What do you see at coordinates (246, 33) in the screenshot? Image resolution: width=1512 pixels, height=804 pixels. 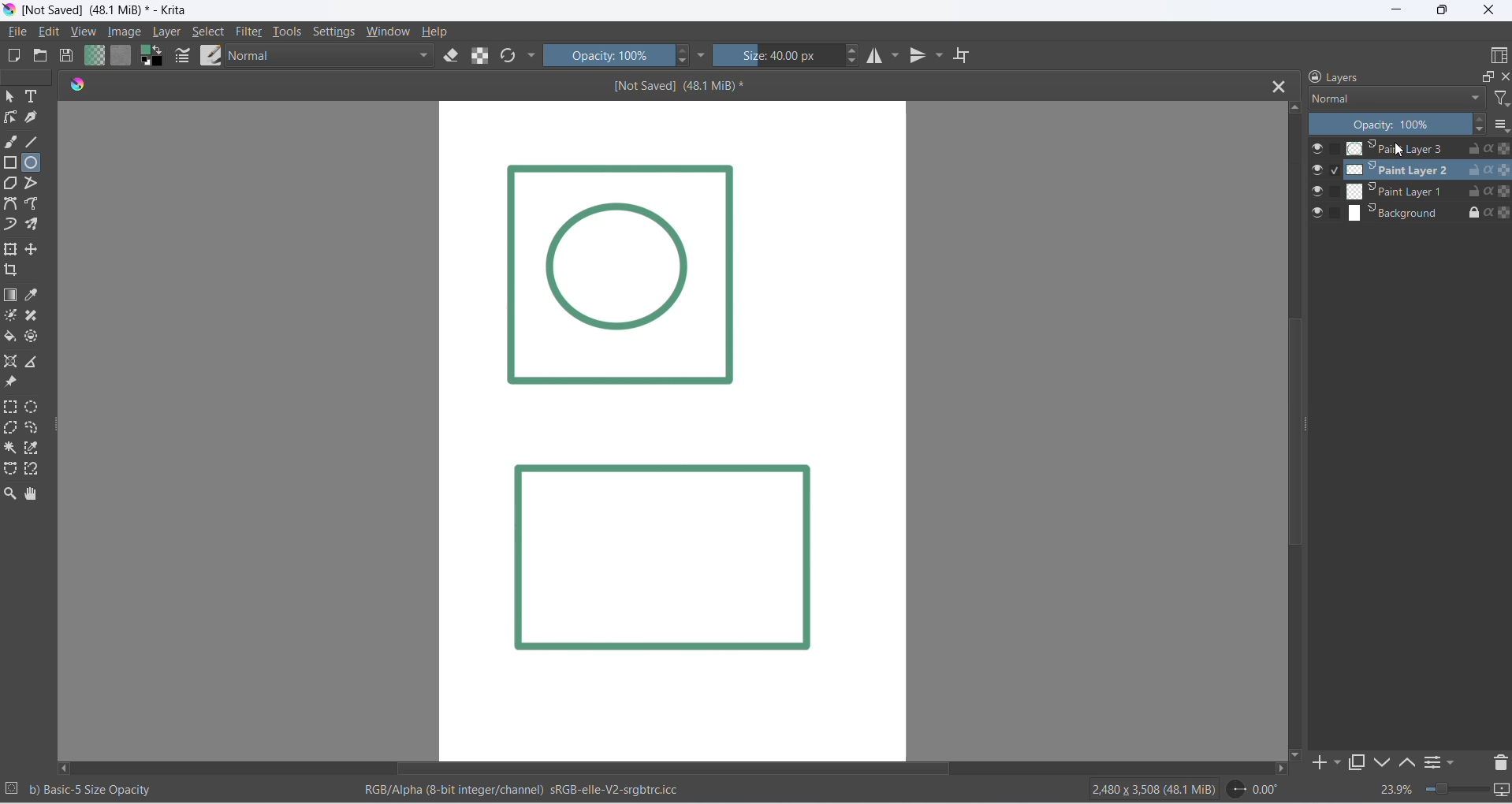 I see `filter` at bounding box center [246, 33].